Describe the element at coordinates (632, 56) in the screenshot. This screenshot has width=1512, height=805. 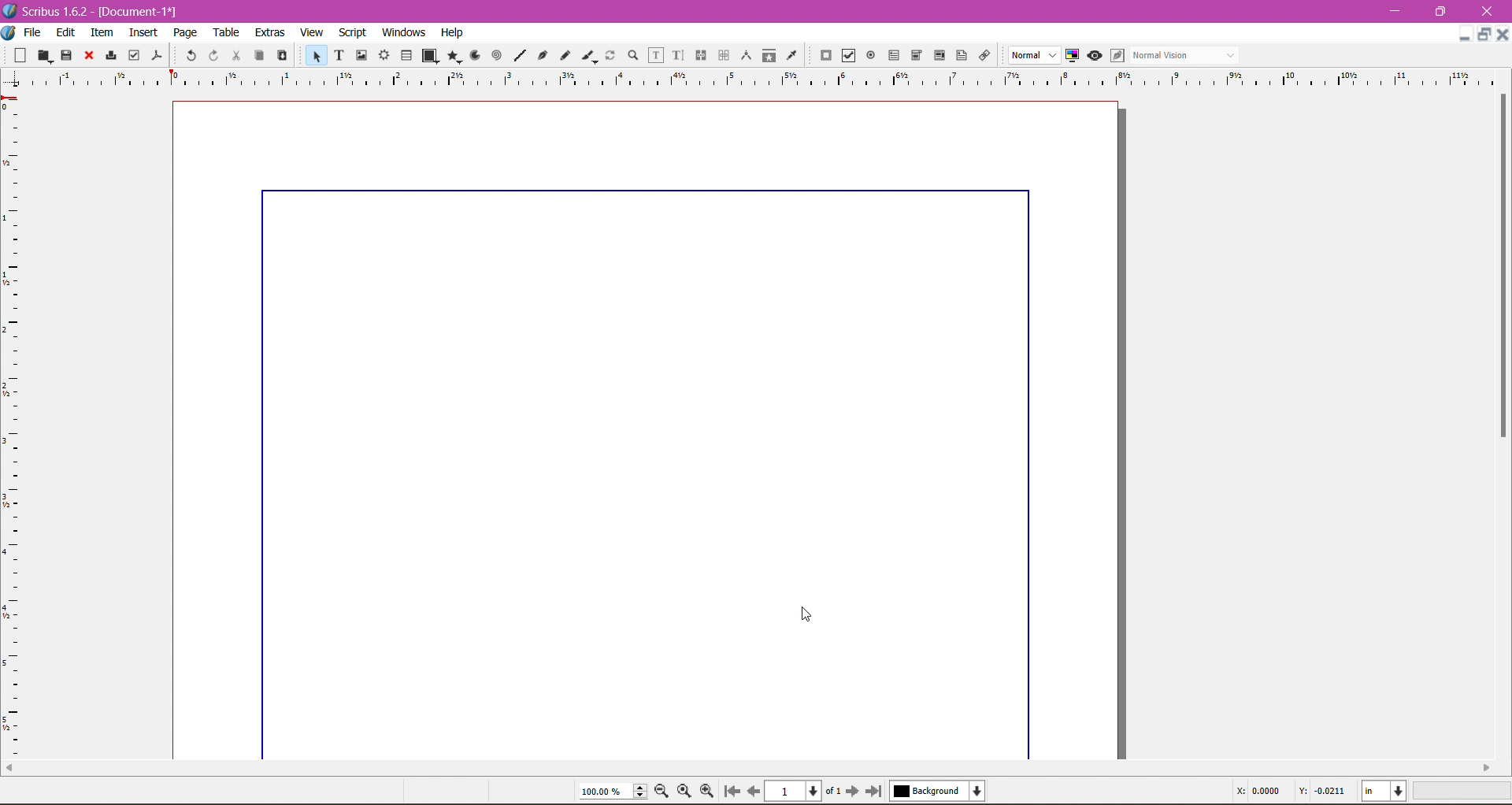
I see `Zoom In or Out` at that location.